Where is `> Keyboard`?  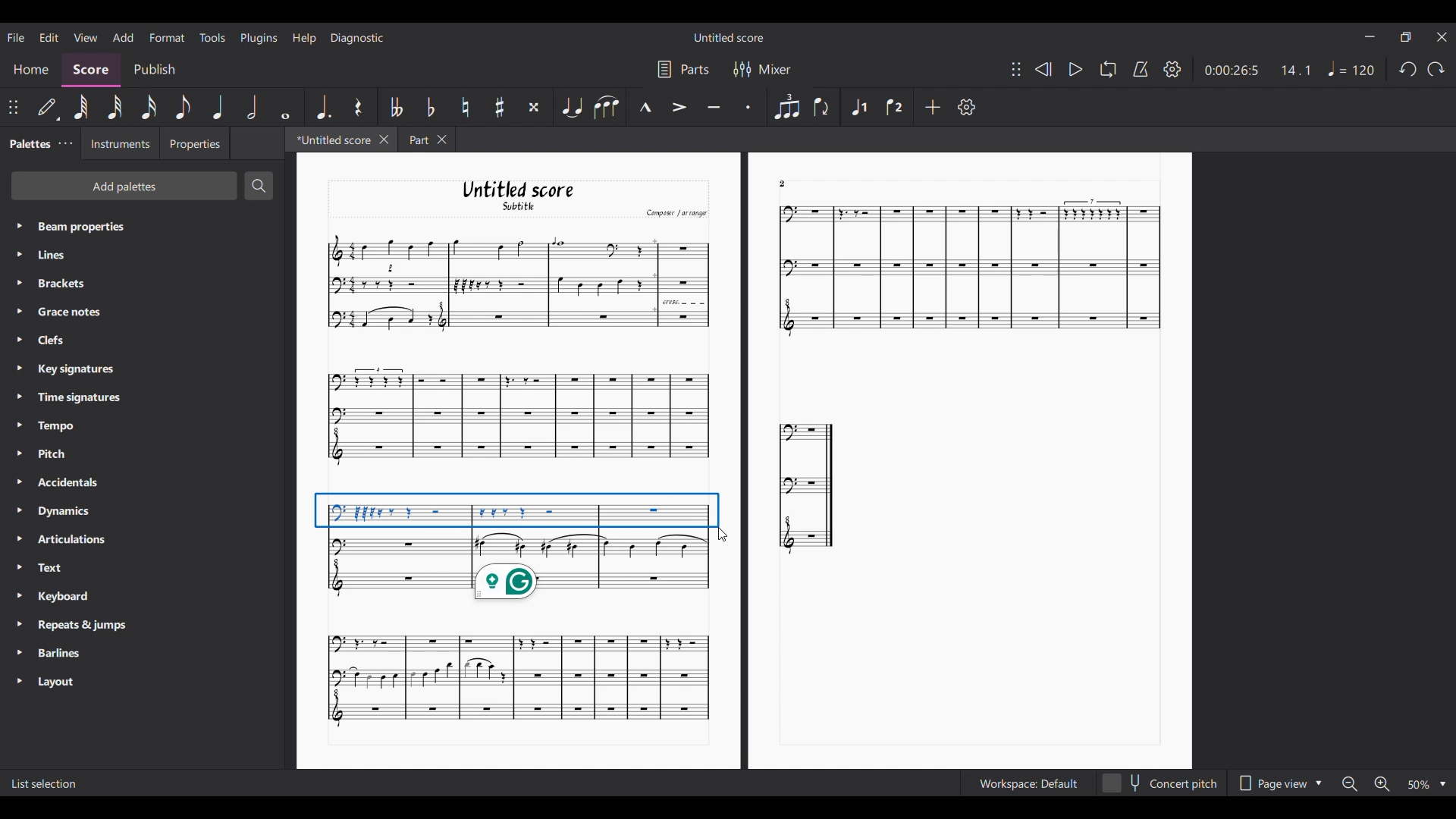 > Keyboard is located at coordinates (58, 598).